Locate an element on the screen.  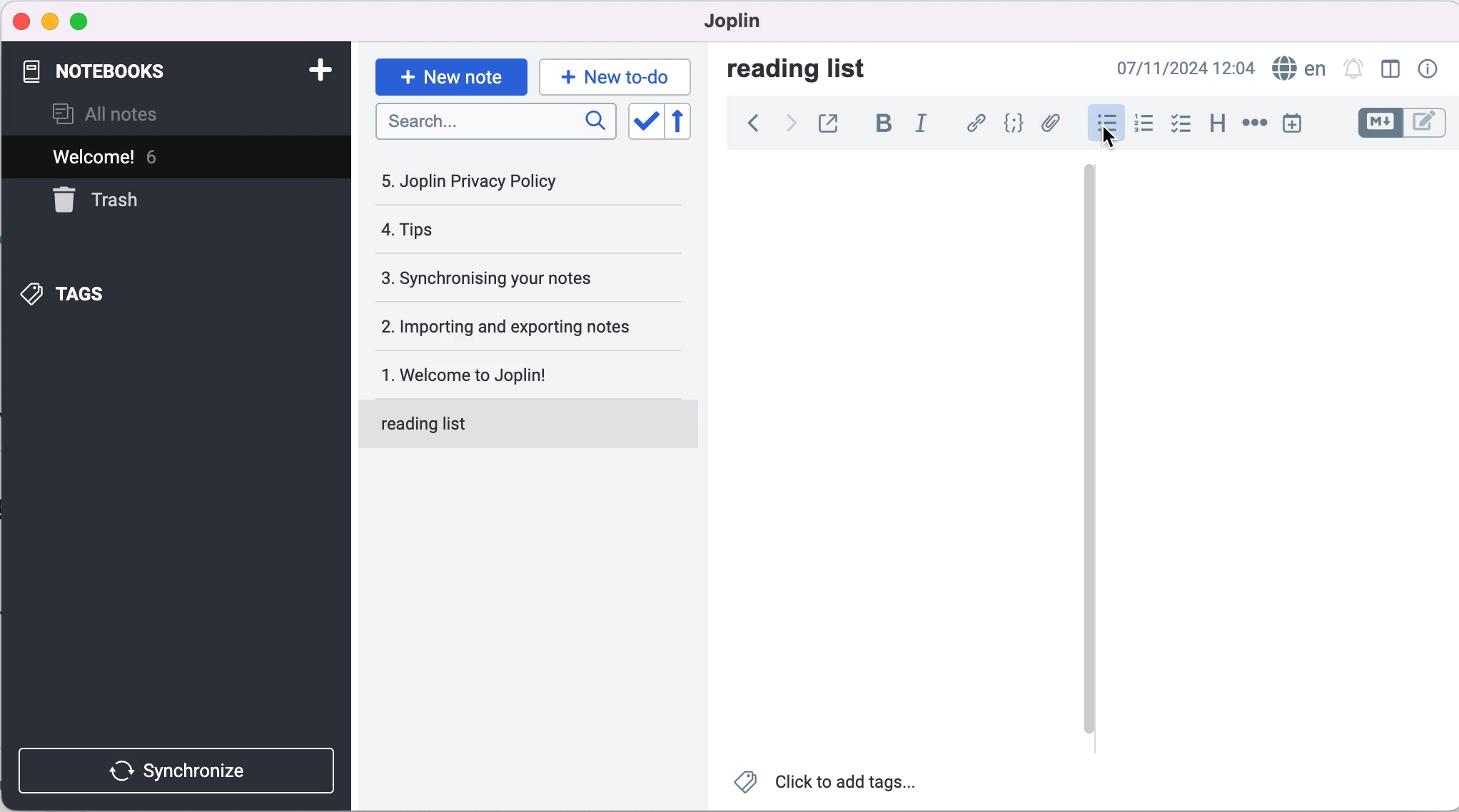
toggle editor layout is located at coordinates (1387, 70).